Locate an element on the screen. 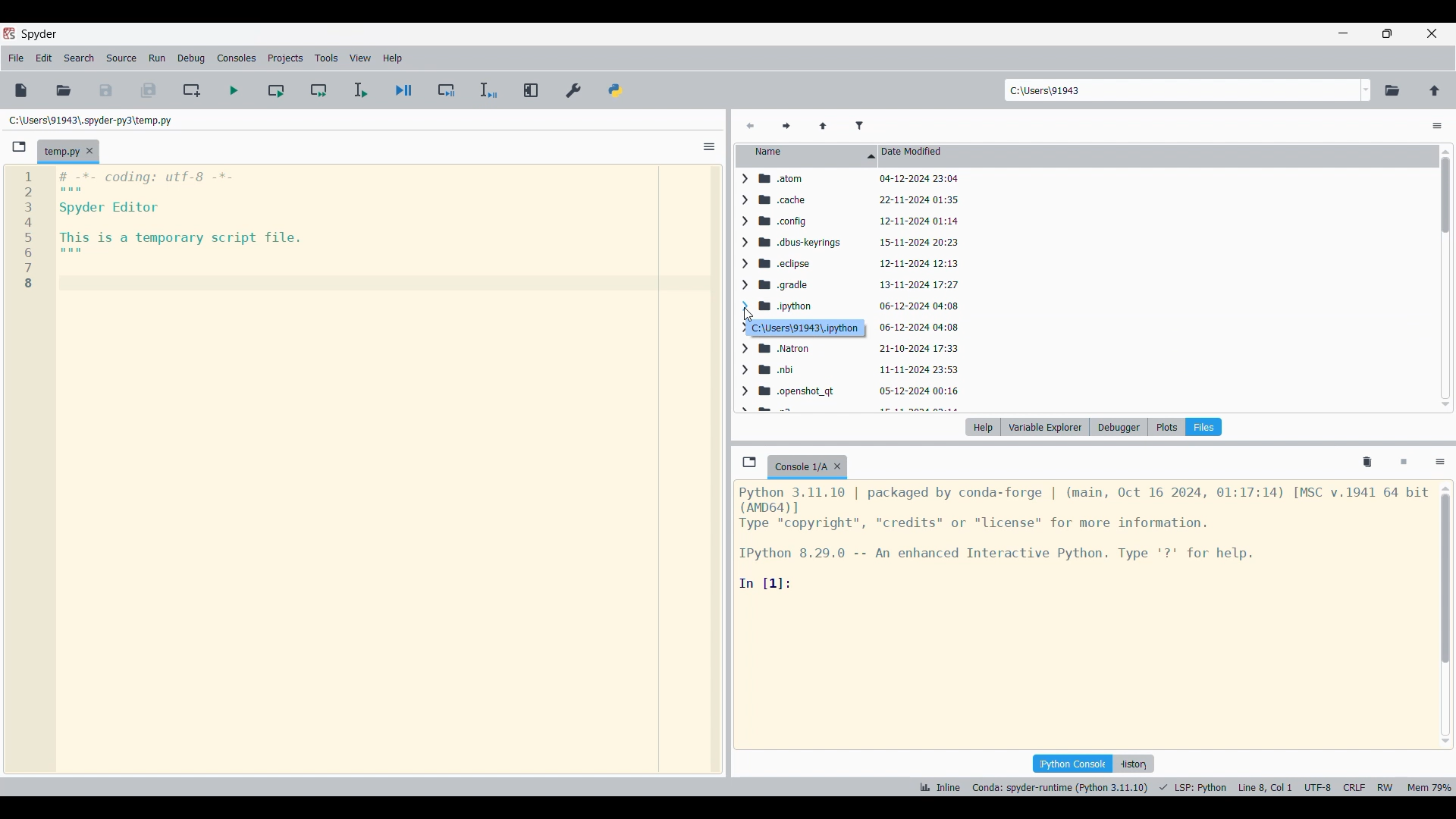 The width and height of the screenshot is (1456, 819). Open file is located at coordinates (64, 91).